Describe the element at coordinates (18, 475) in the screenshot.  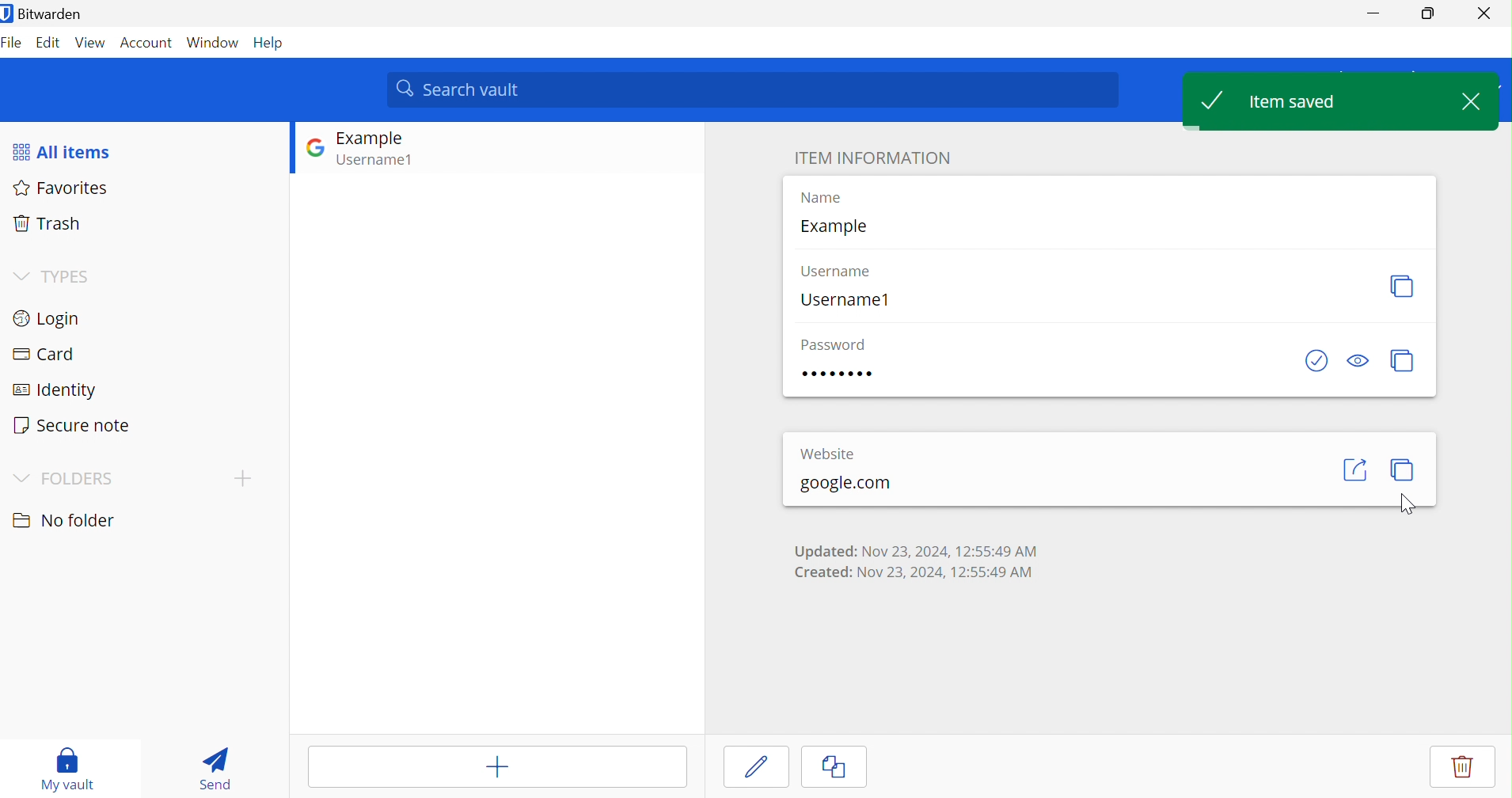
I see `Drop Down` at that location.